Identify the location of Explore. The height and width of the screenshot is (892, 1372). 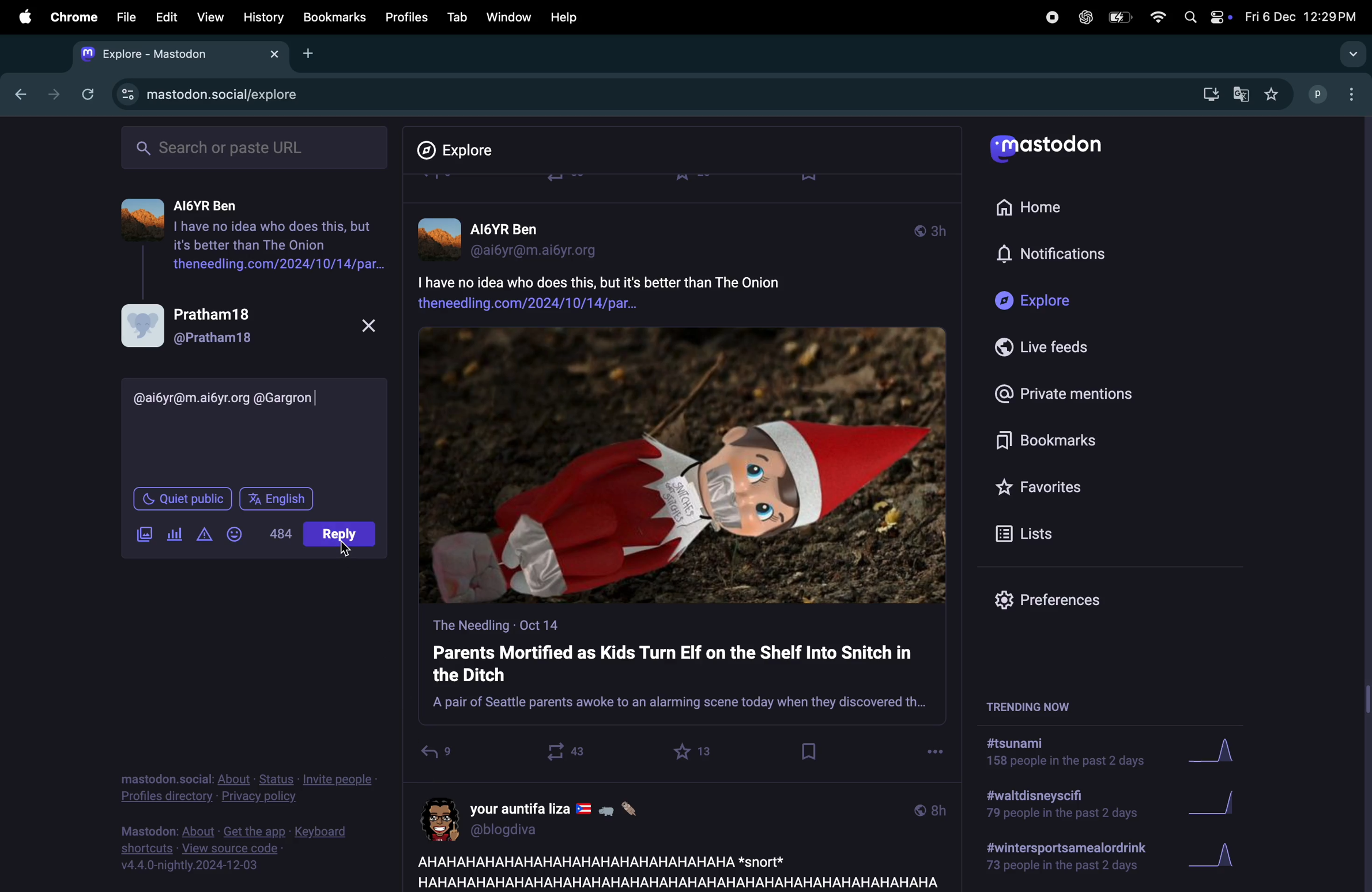
(464, 150).